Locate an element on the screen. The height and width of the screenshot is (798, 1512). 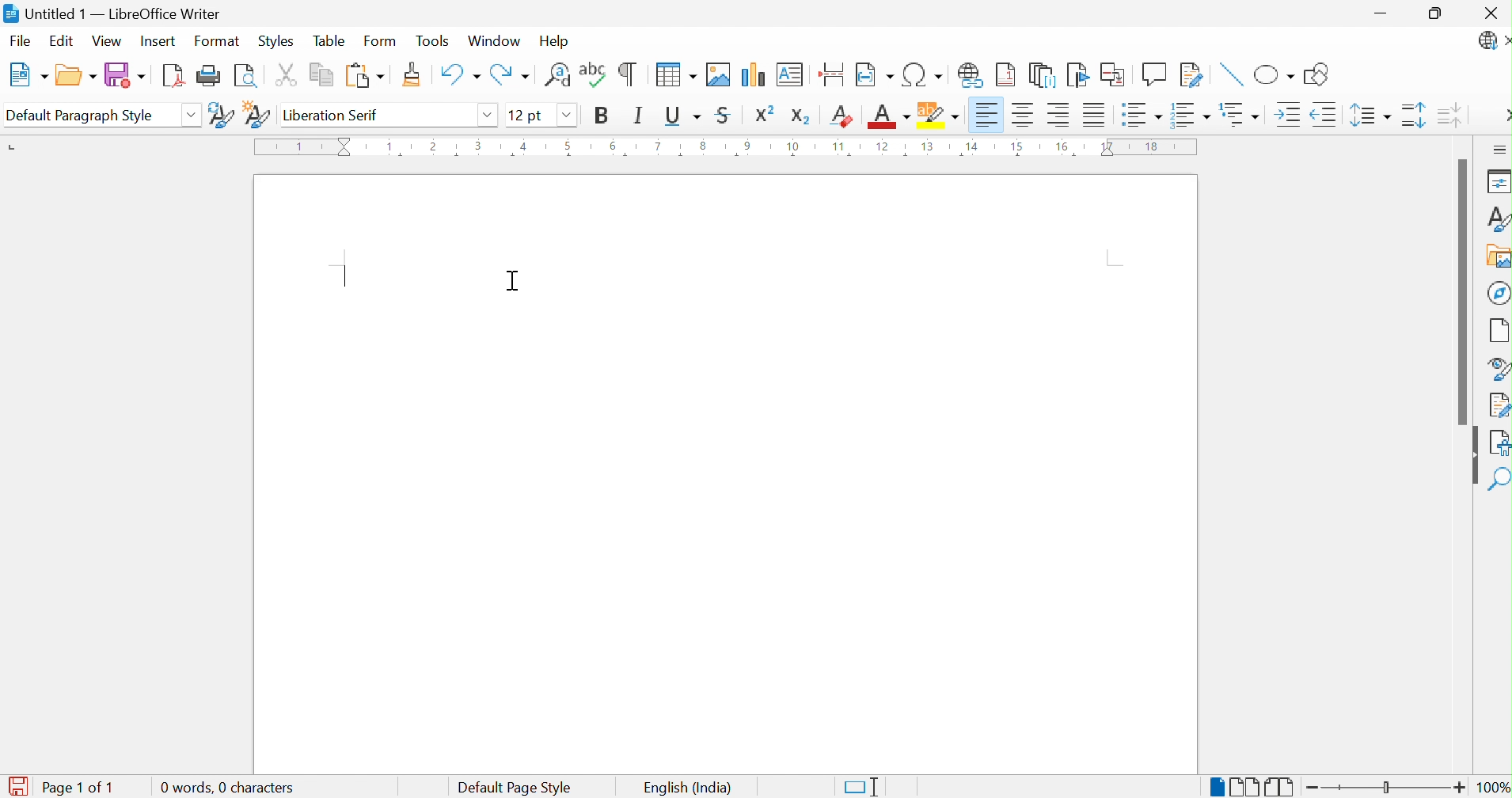
Minimize is located at coordinates (1382, 13).